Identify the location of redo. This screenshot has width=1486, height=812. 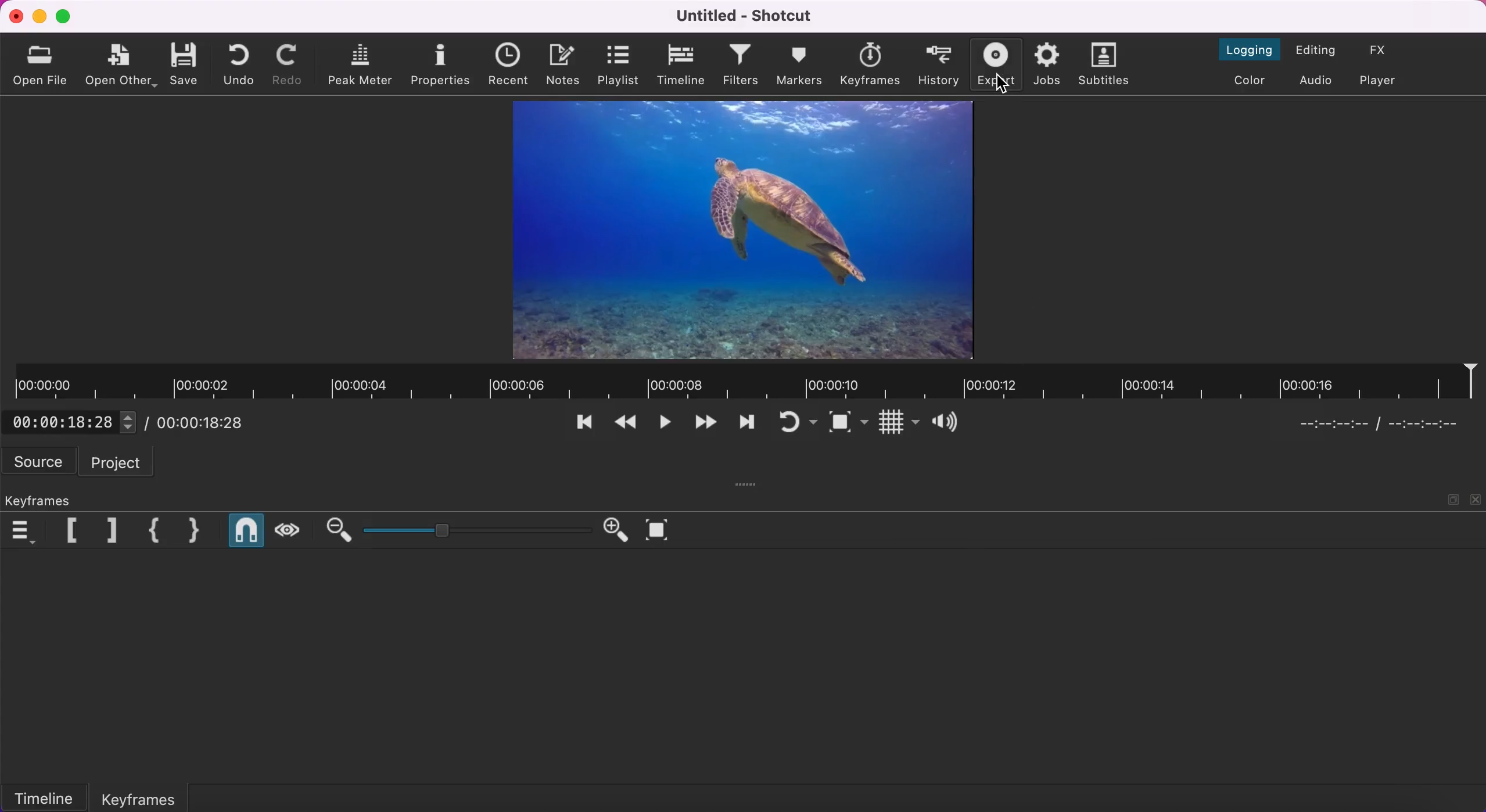
(289, 63).